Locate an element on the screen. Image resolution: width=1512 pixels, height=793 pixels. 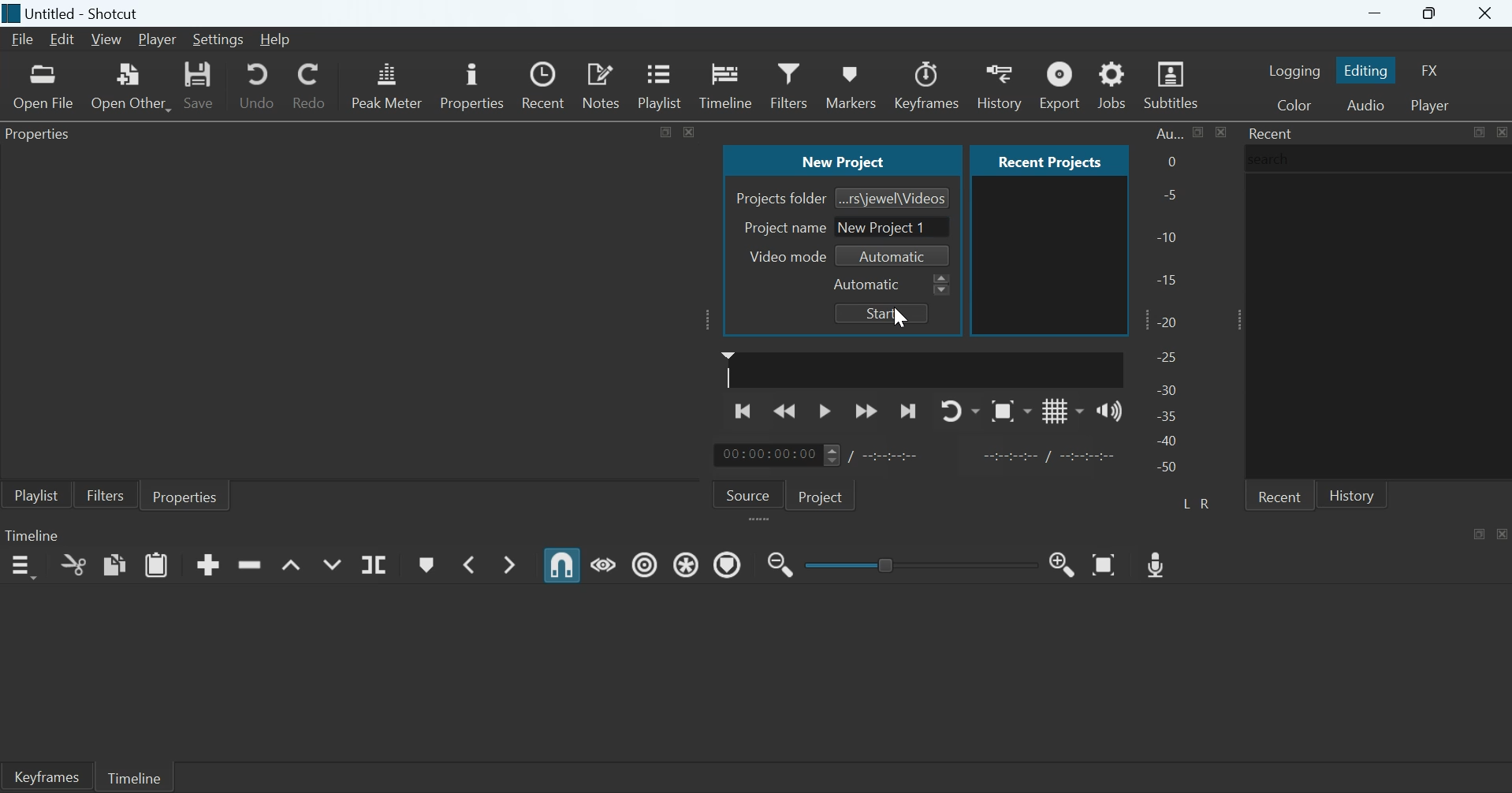
Automatic is located at coordinates (894, 257).